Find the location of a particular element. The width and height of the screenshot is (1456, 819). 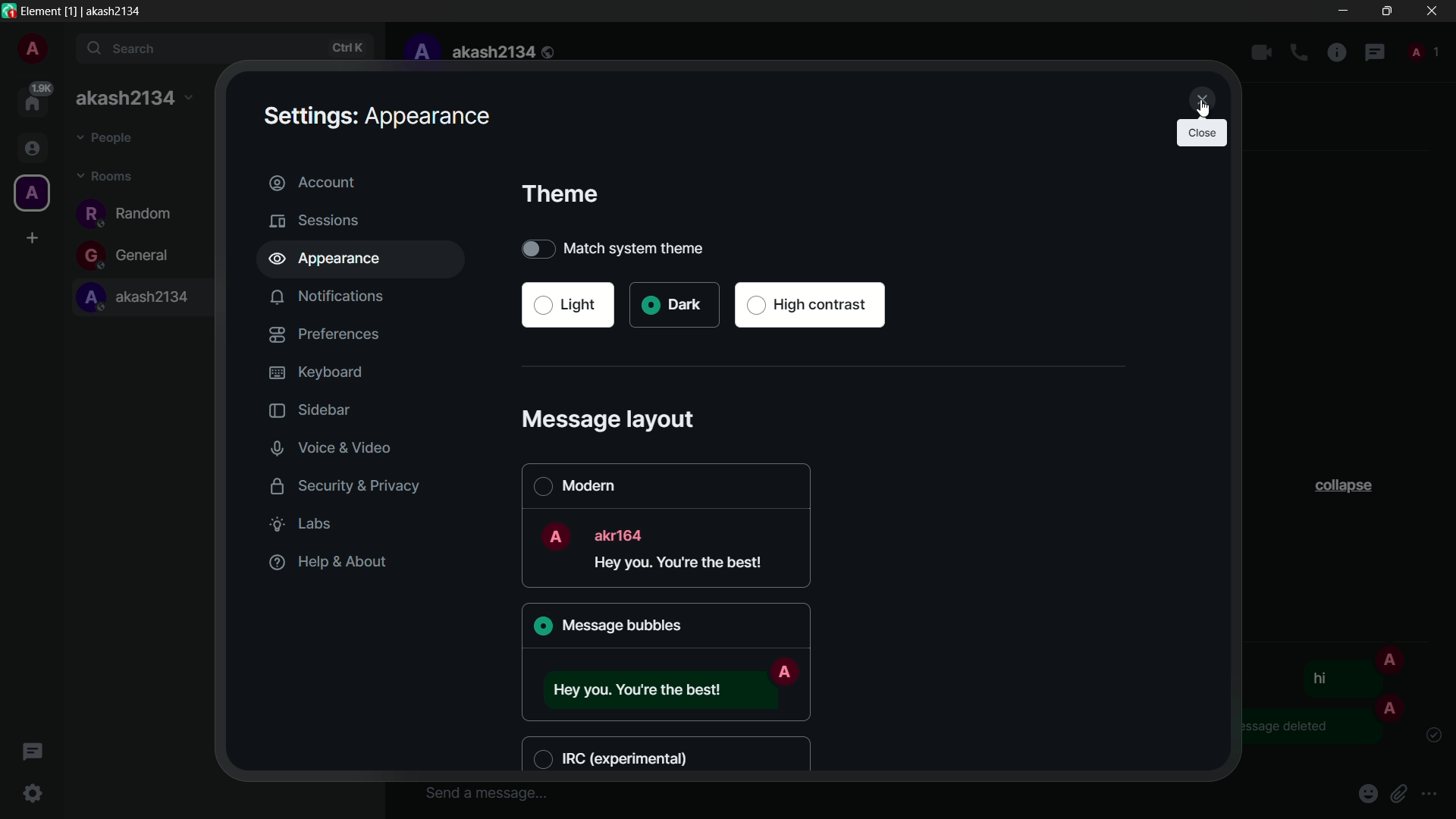

message bubble is located at coordinates (621, 625).